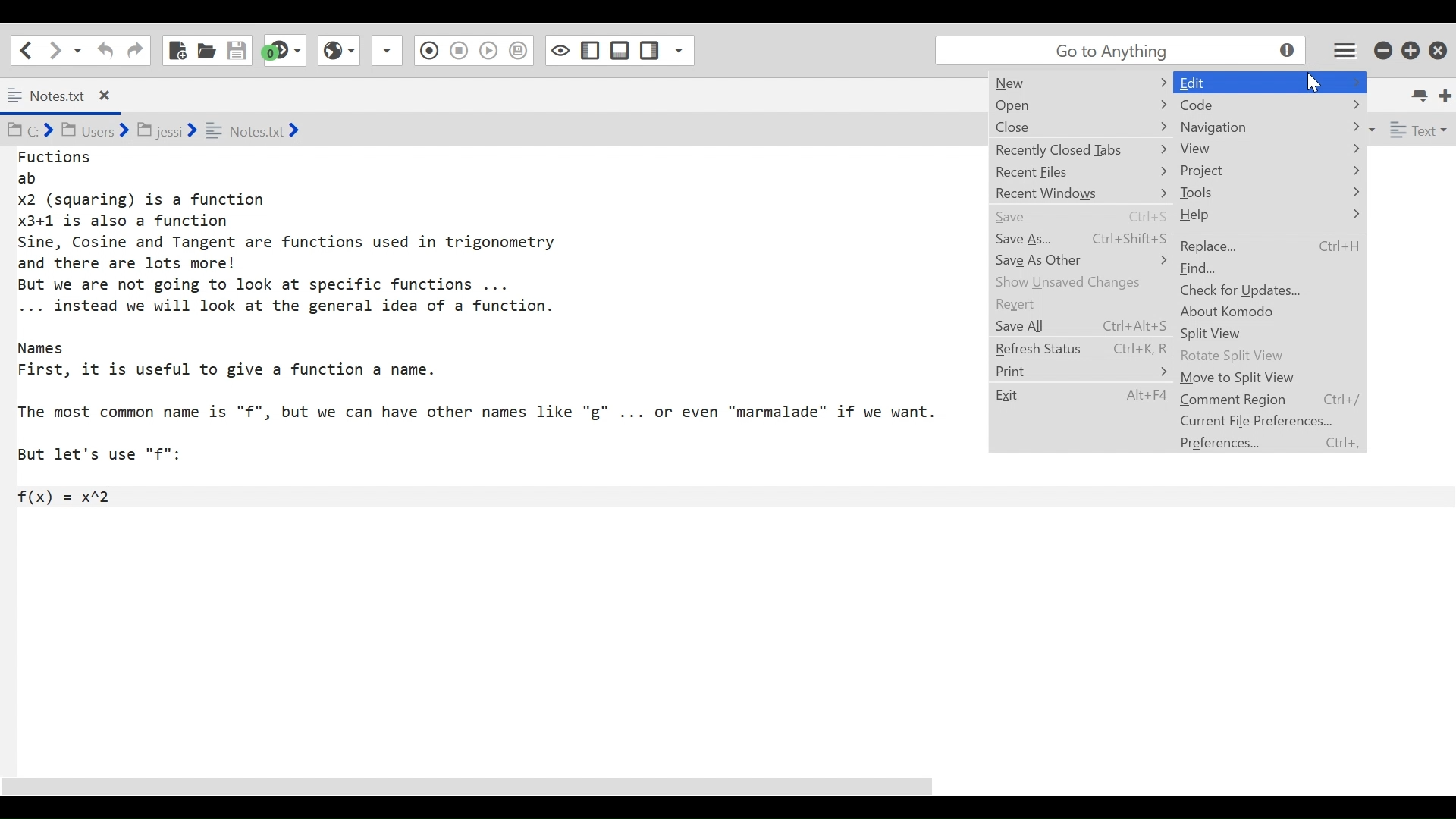 The height and width of the screenshot is (819, 1456). I want to click on new, so click(1062, 86).